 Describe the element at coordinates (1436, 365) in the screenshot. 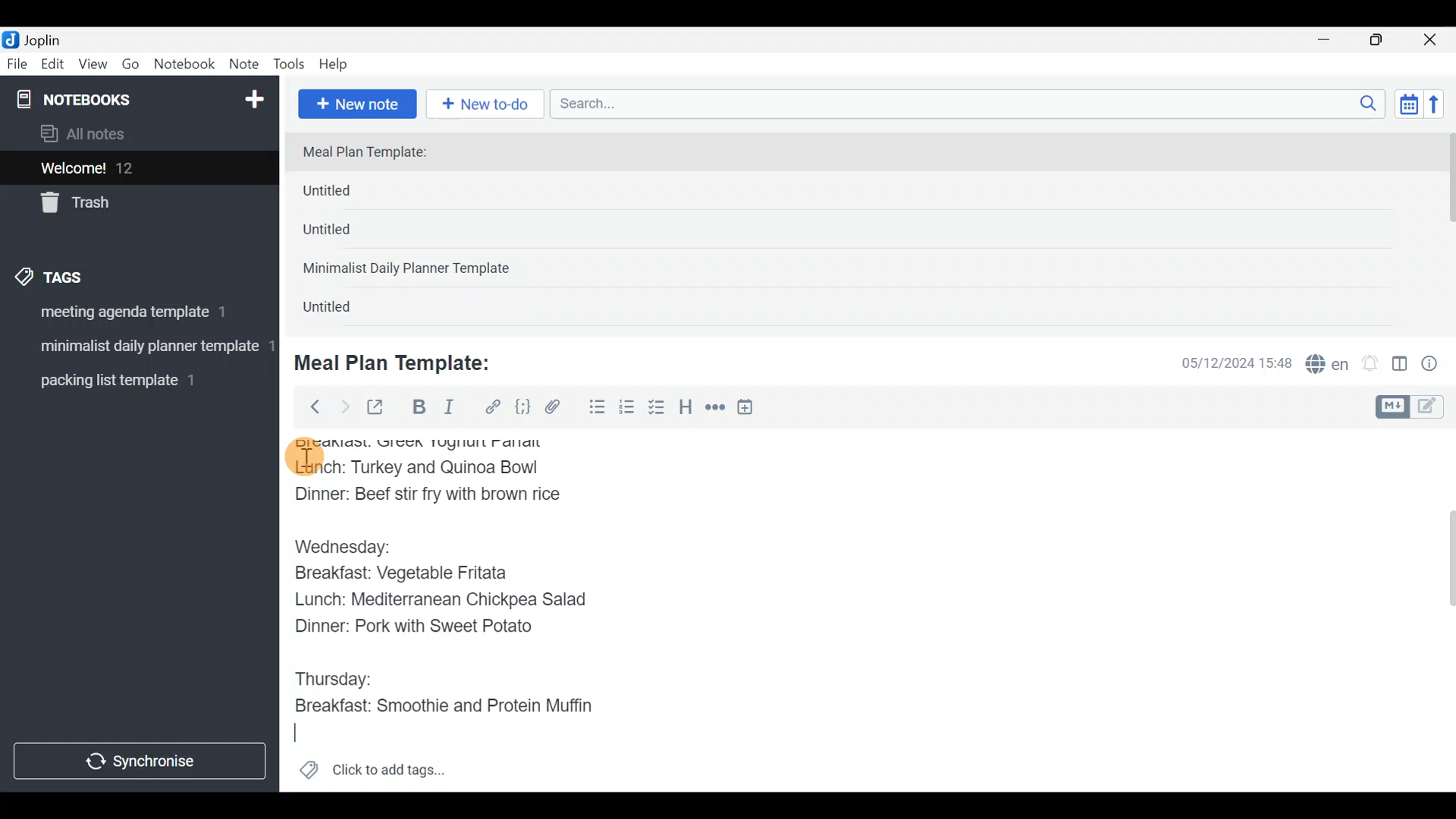

I see `Note properties` at that location.